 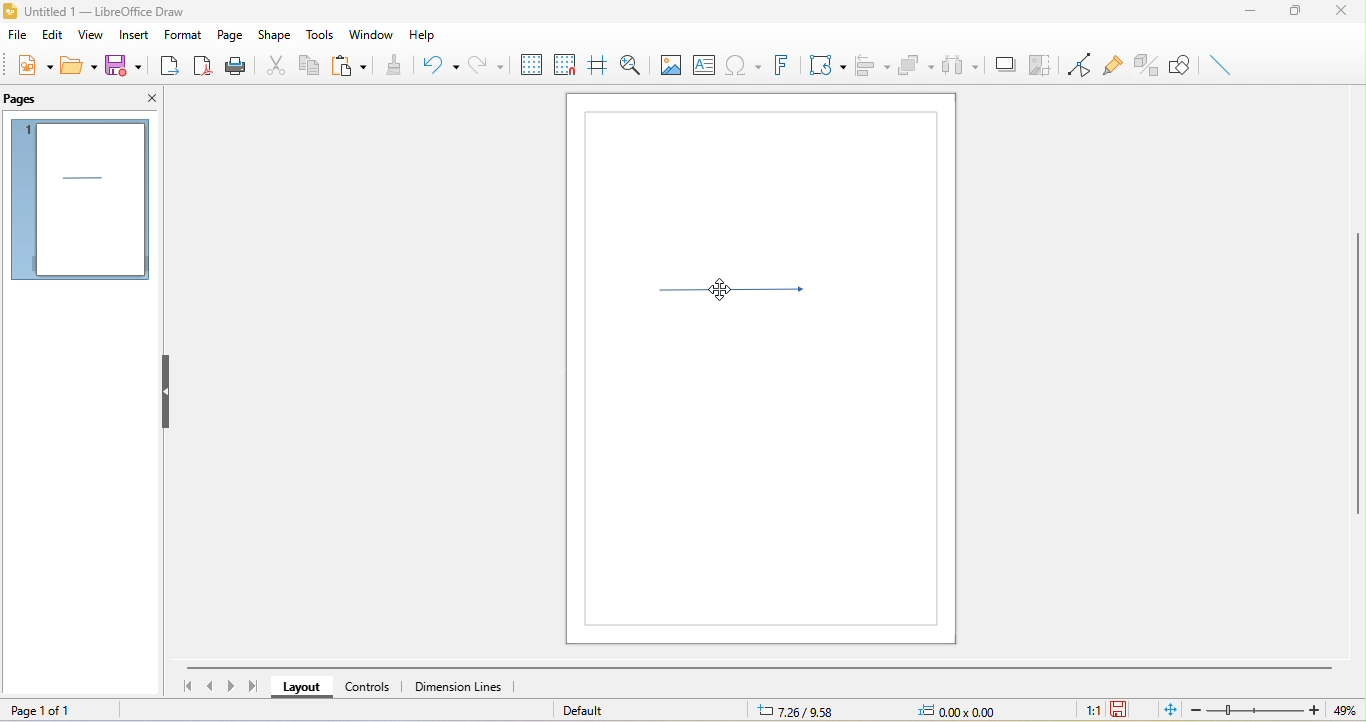 I want to click on insert, so click(x=130, y=37).